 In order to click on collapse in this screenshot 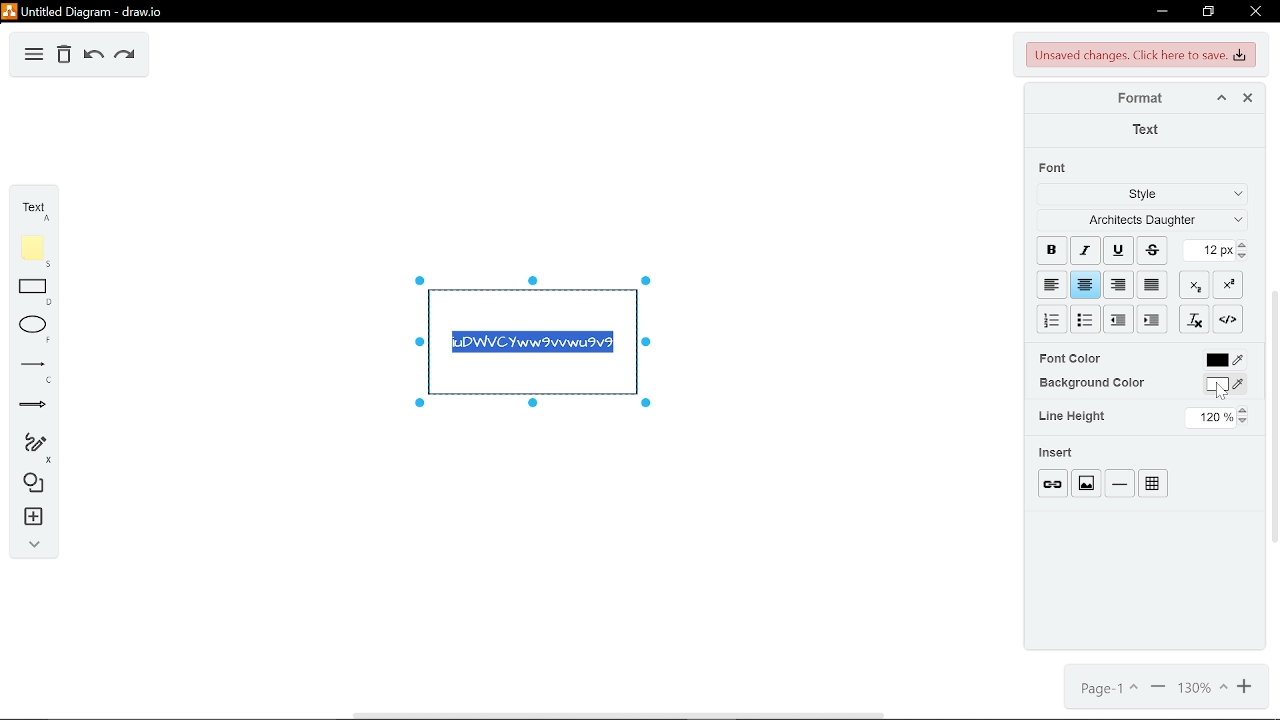, I will do `click(29, 548)`.